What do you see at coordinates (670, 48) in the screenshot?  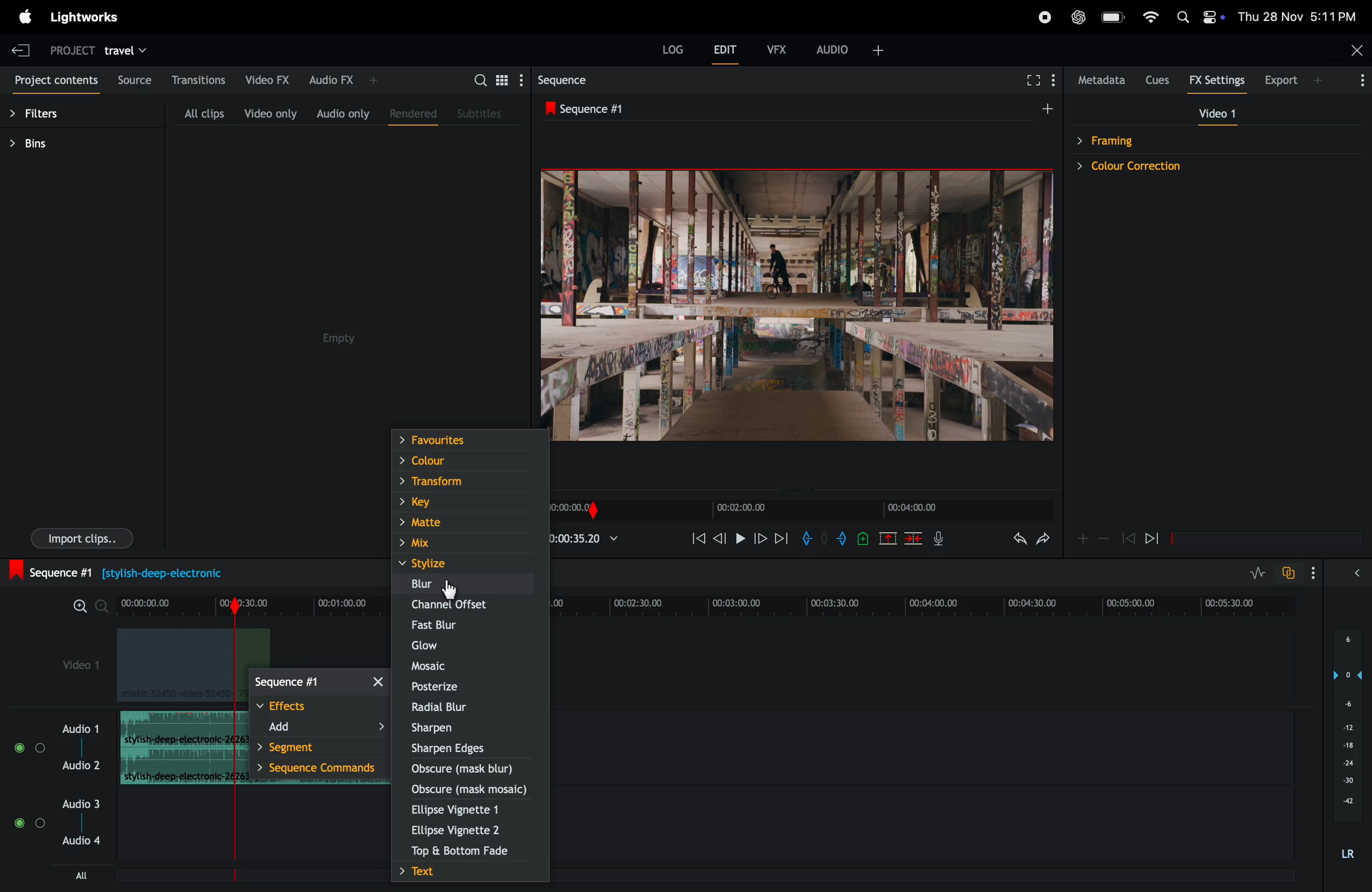 I see `log` at bounding box center [670, 48].